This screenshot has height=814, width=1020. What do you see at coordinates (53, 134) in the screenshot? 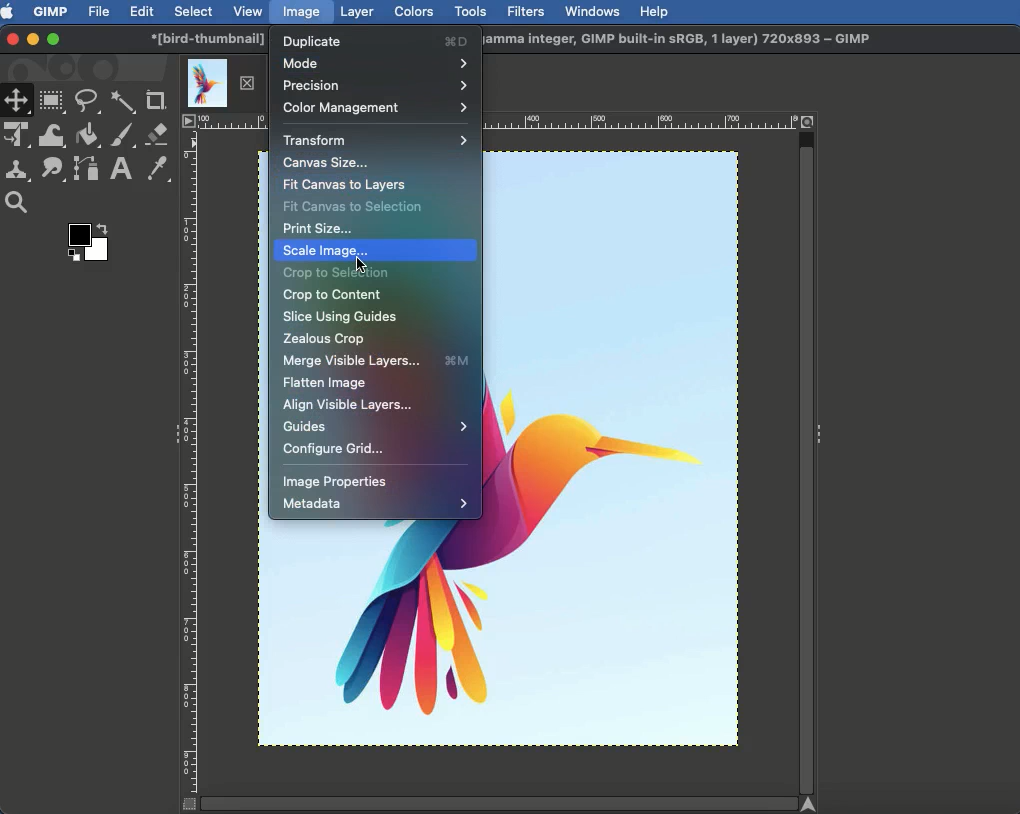
I see `Warp transformation` at bounding box center [53, 134].